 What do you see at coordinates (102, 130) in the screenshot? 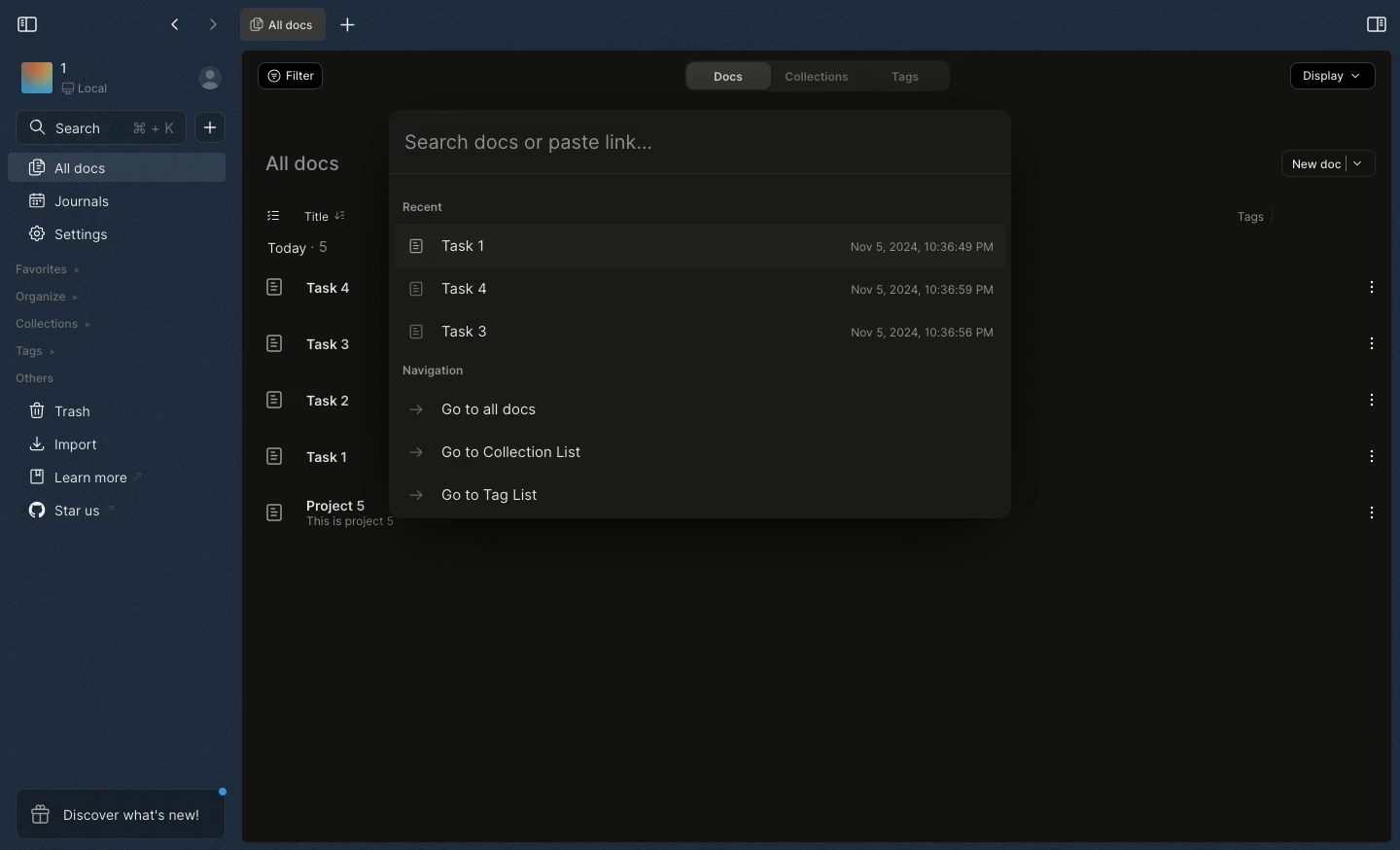
I see `Search` at bounding box center [102, 130].